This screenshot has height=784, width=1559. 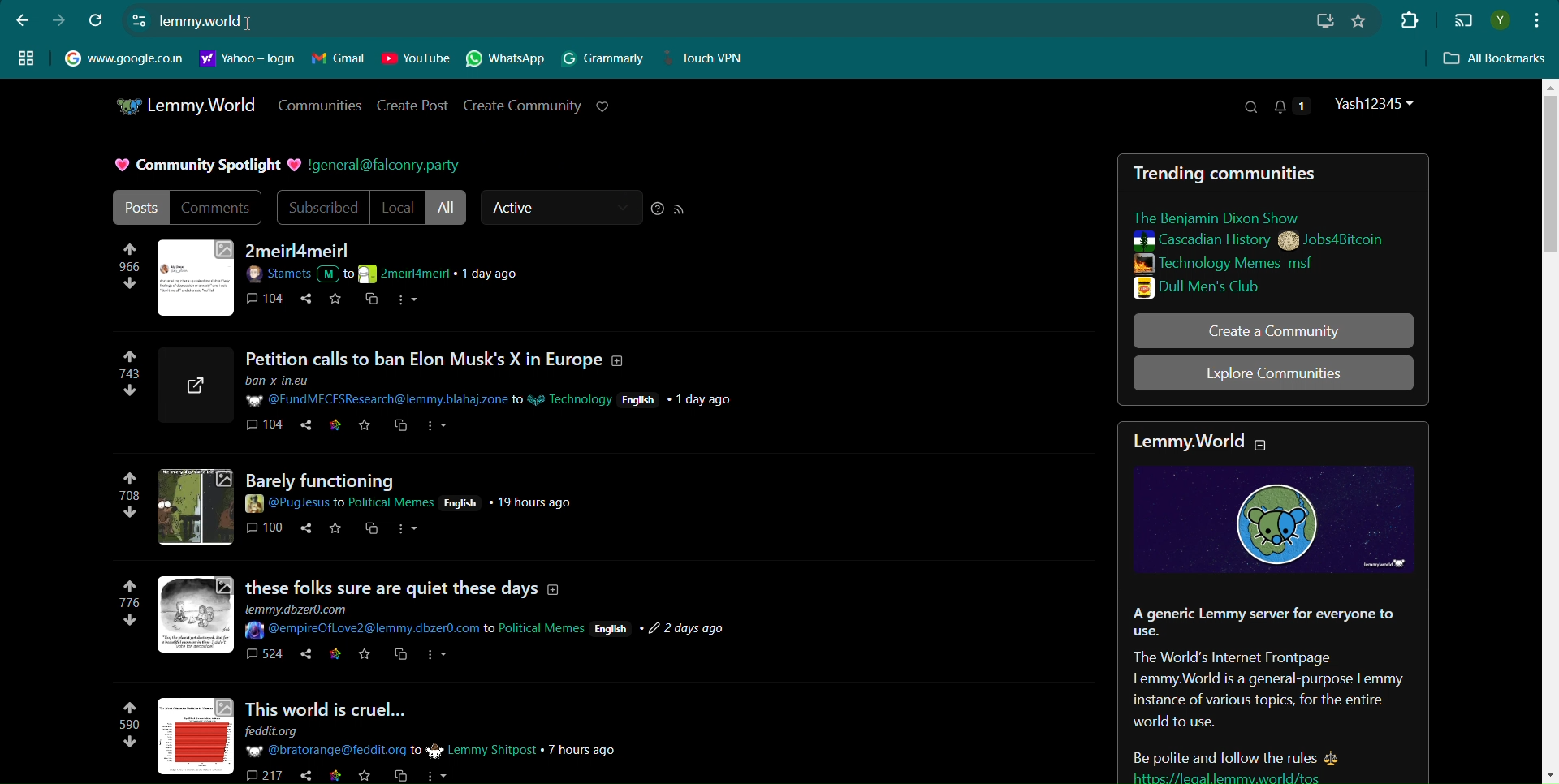 I want to click on Lemmy.world, so click(x=1187, y=443).